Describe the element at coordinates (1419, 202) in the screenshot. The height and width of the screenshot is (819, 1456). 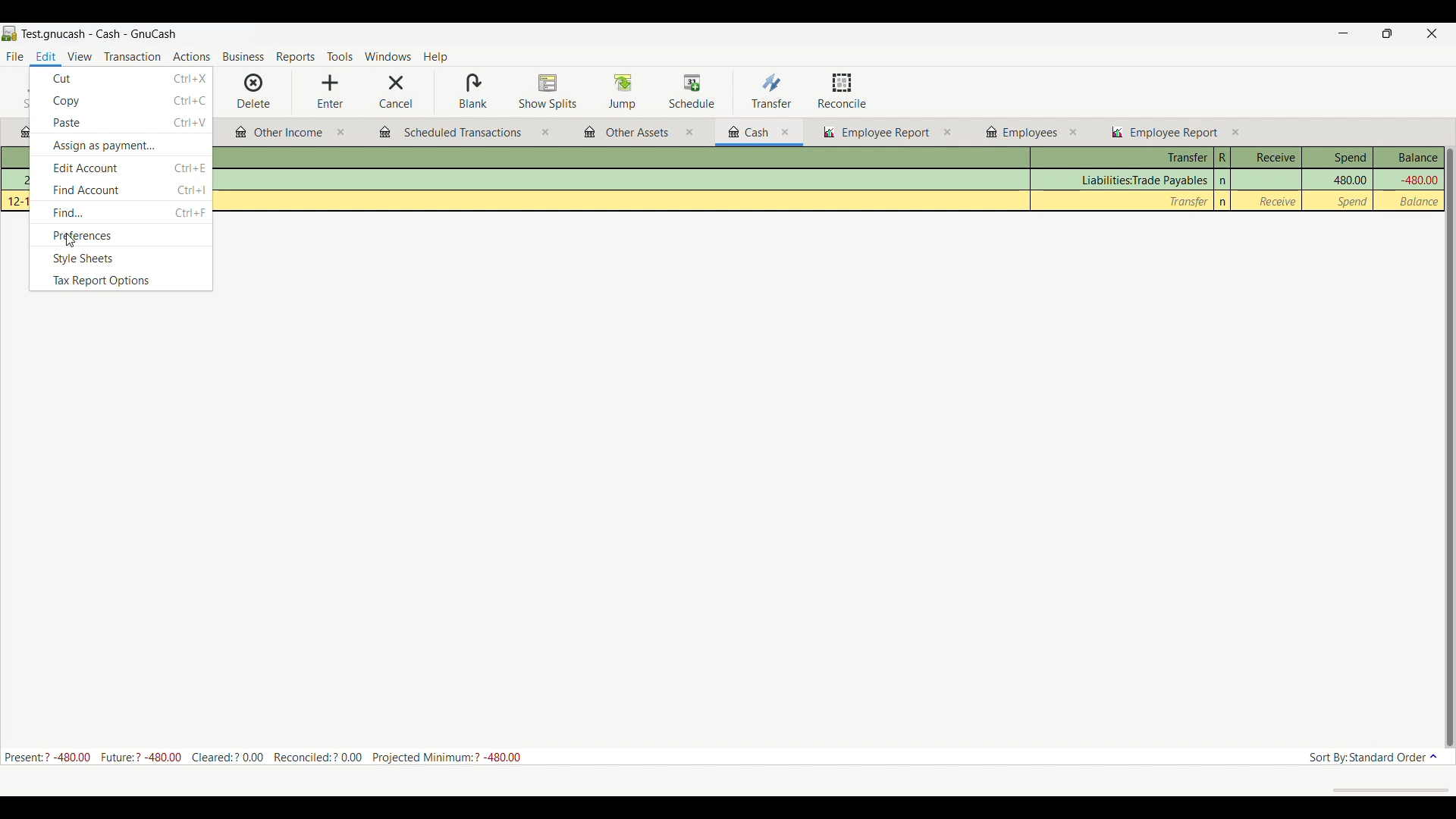
I see `Balance column` at that location.